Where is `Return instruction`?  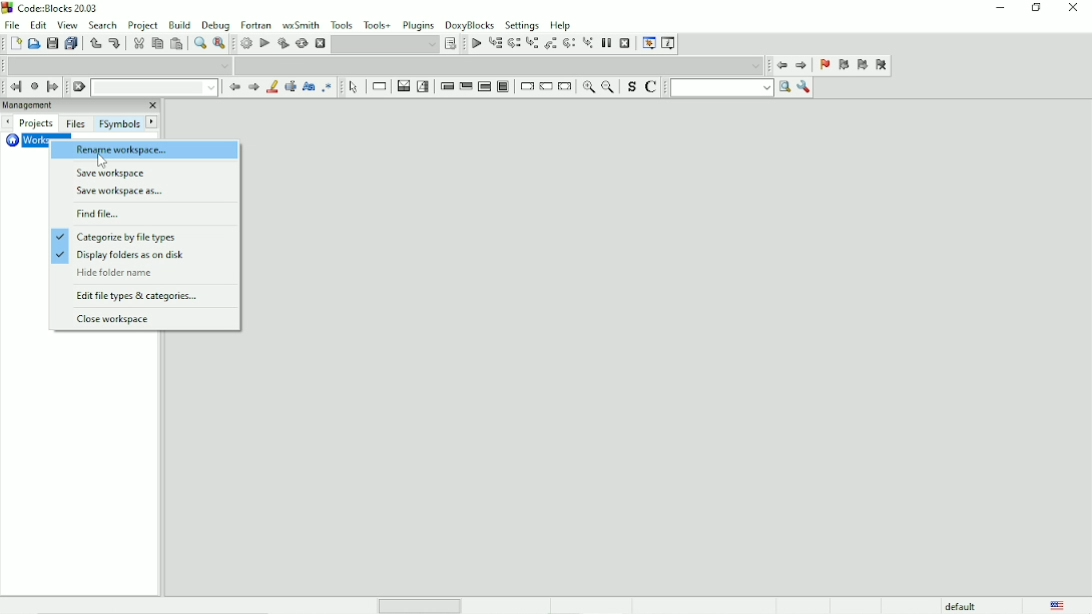 Return instruction is located at coordinates (565, 87).